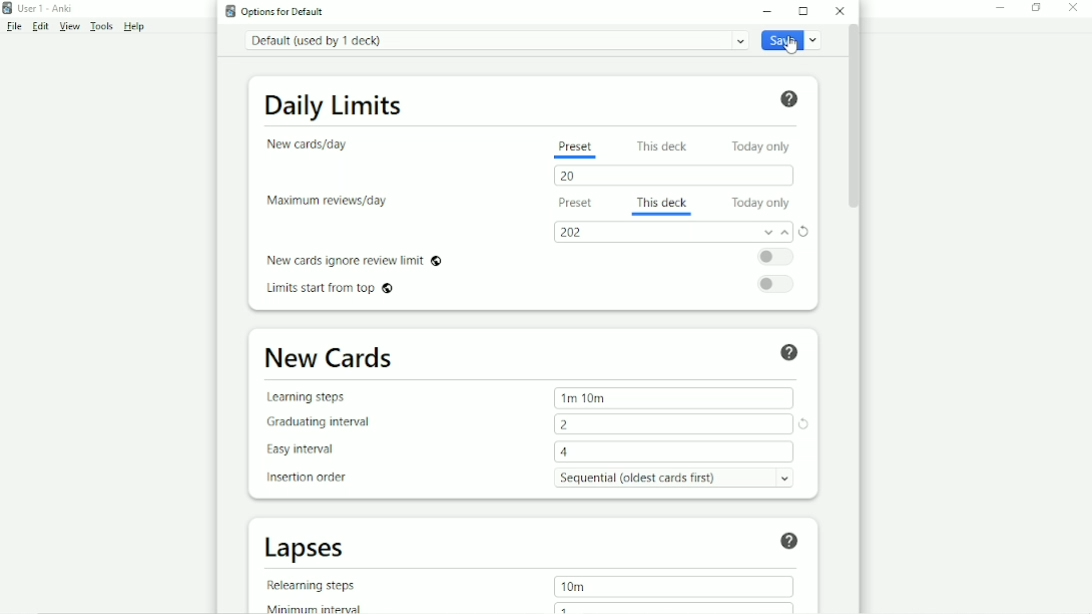 This screenshot has width=1092, height=614. What do you see at coordinates (790, 351) in the screenshot?
I see `Help` at bounding box center [790, 351].